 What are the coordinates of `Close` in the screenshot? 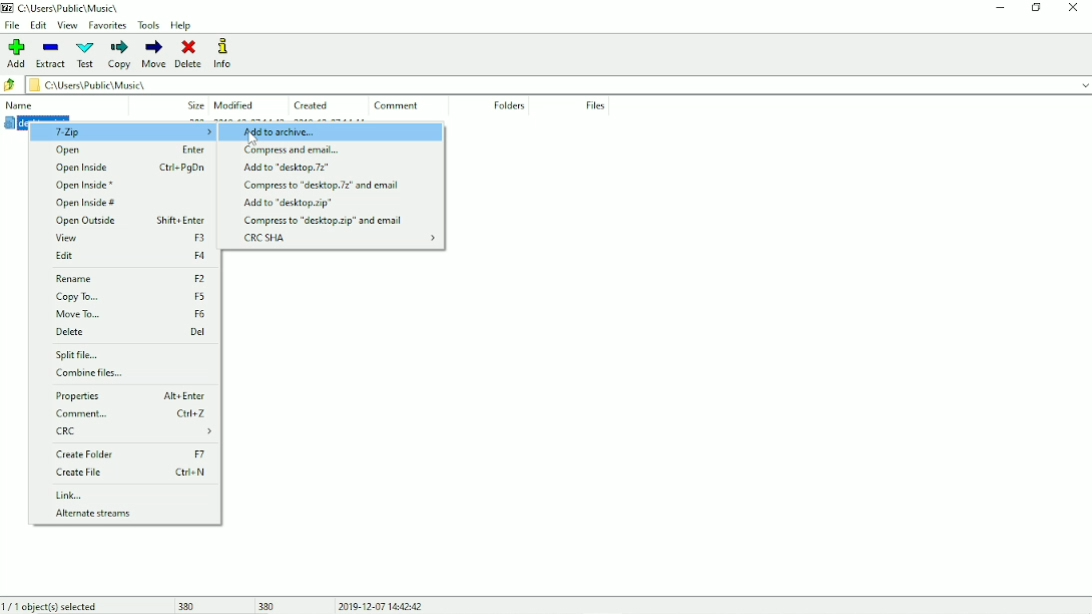 It's located at (1075, 9).